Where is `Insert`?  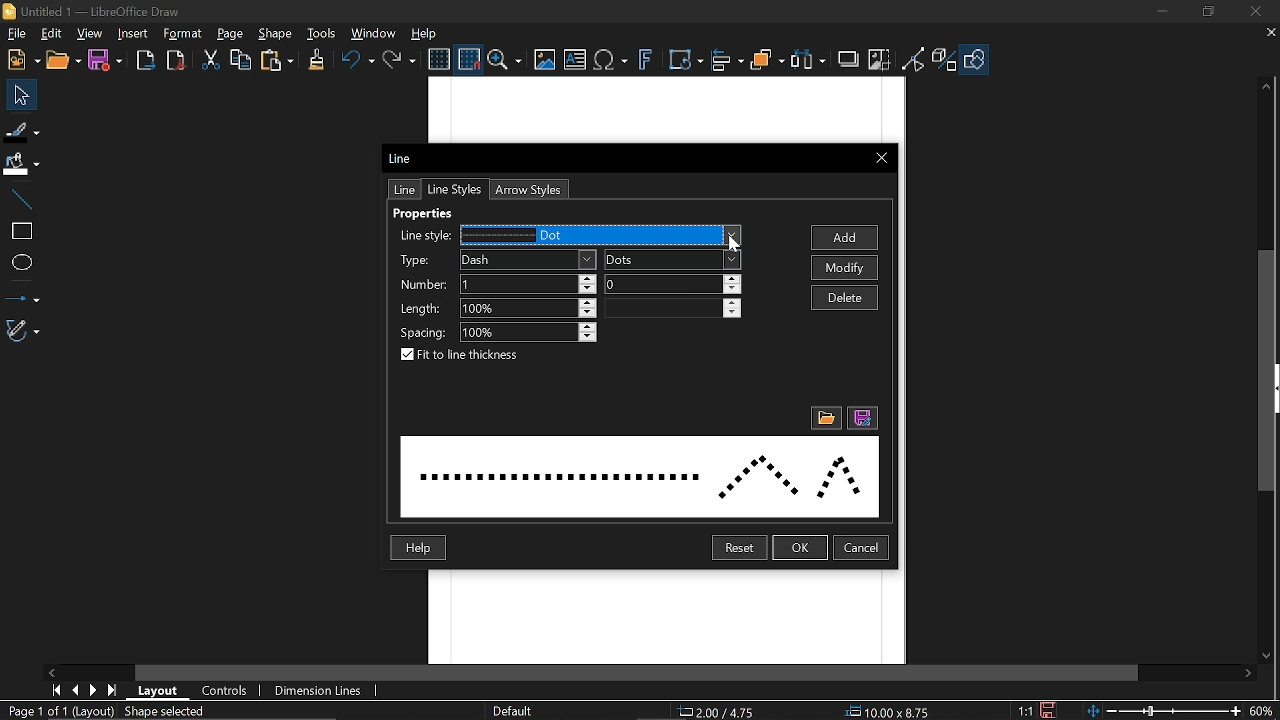 Insert is located at coordinates (134, 35).